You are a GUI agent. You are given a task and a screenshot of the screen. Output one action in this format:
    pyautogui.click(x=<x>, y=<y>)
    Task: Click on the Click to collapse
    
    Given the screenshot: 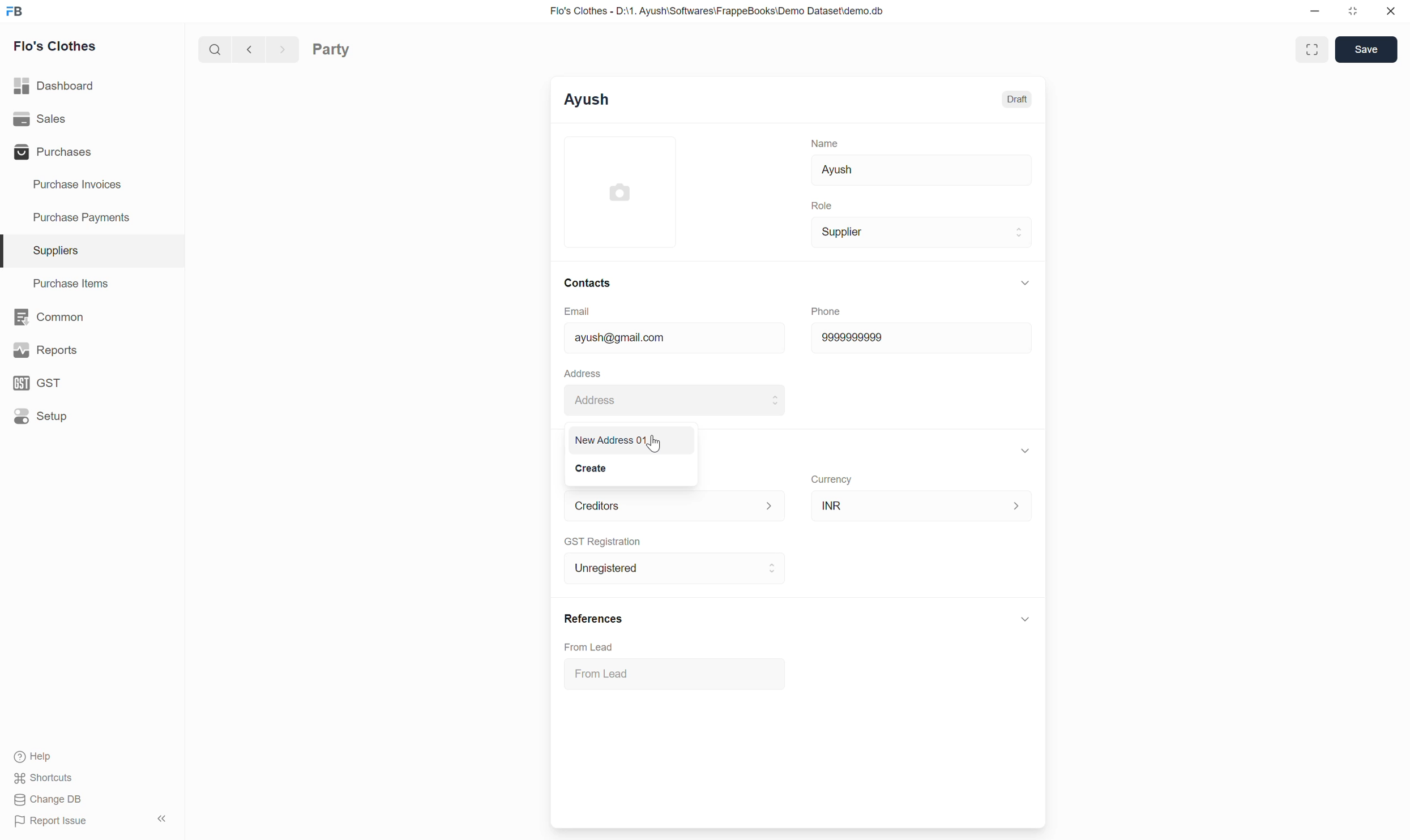 What is the action you would take?
    pyautogui.click(x=1026, y=619)
    